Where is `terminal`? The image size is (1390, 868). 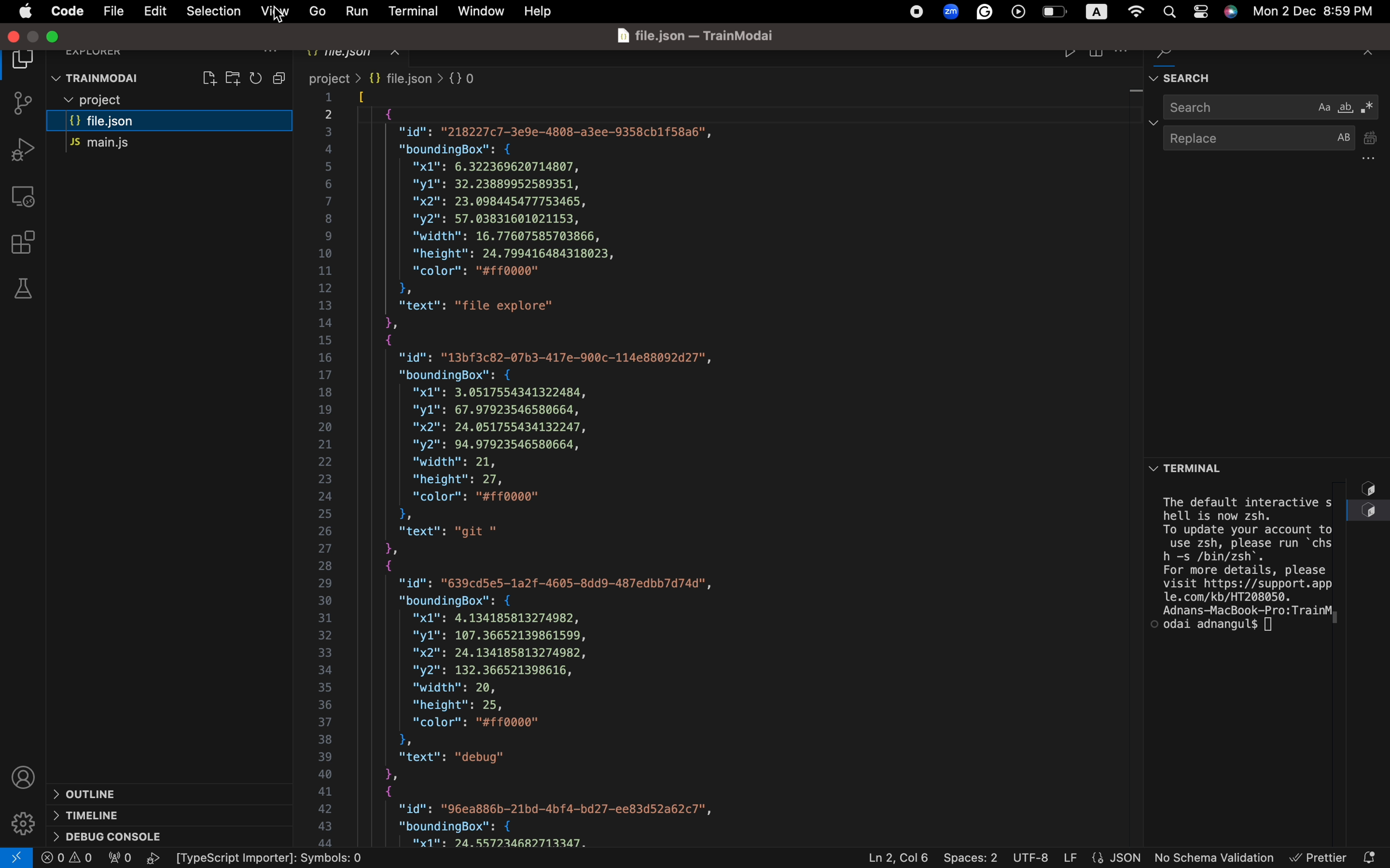 terminal is located at coordinates (1205, 465).